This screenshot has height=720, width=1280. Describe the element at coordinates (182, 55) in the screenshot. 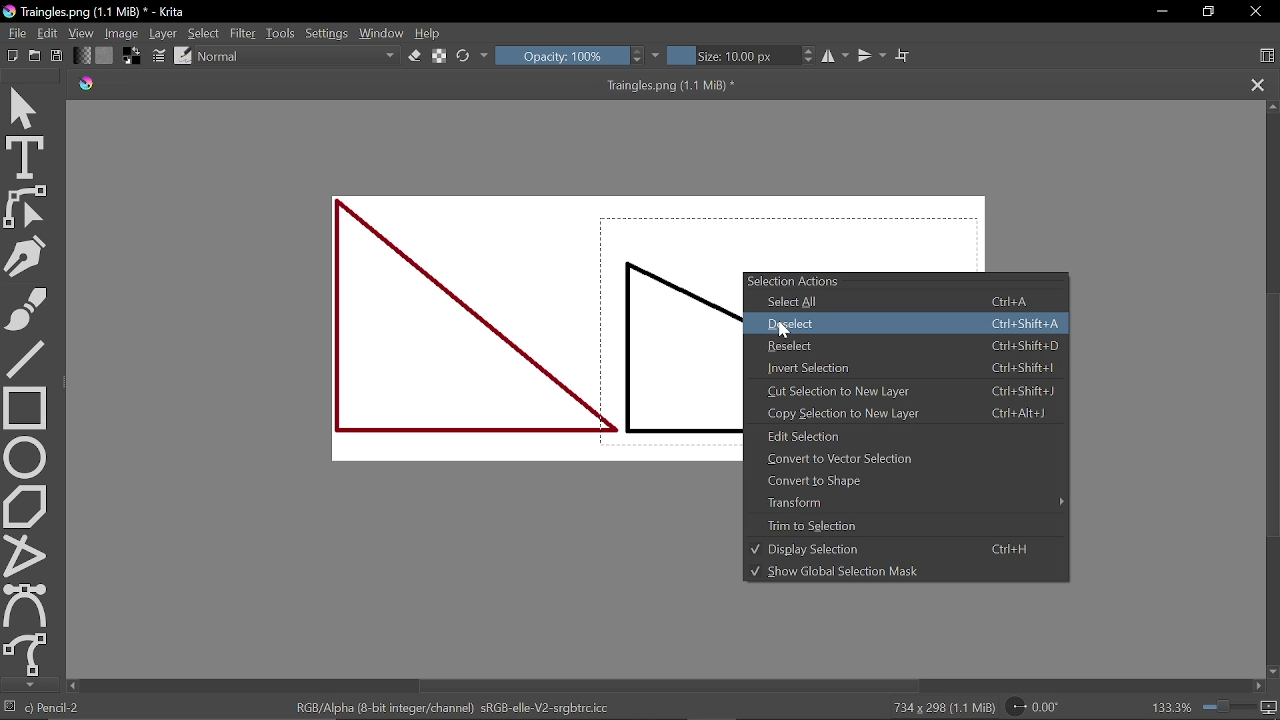

I see `Edit brush preset` at that location.